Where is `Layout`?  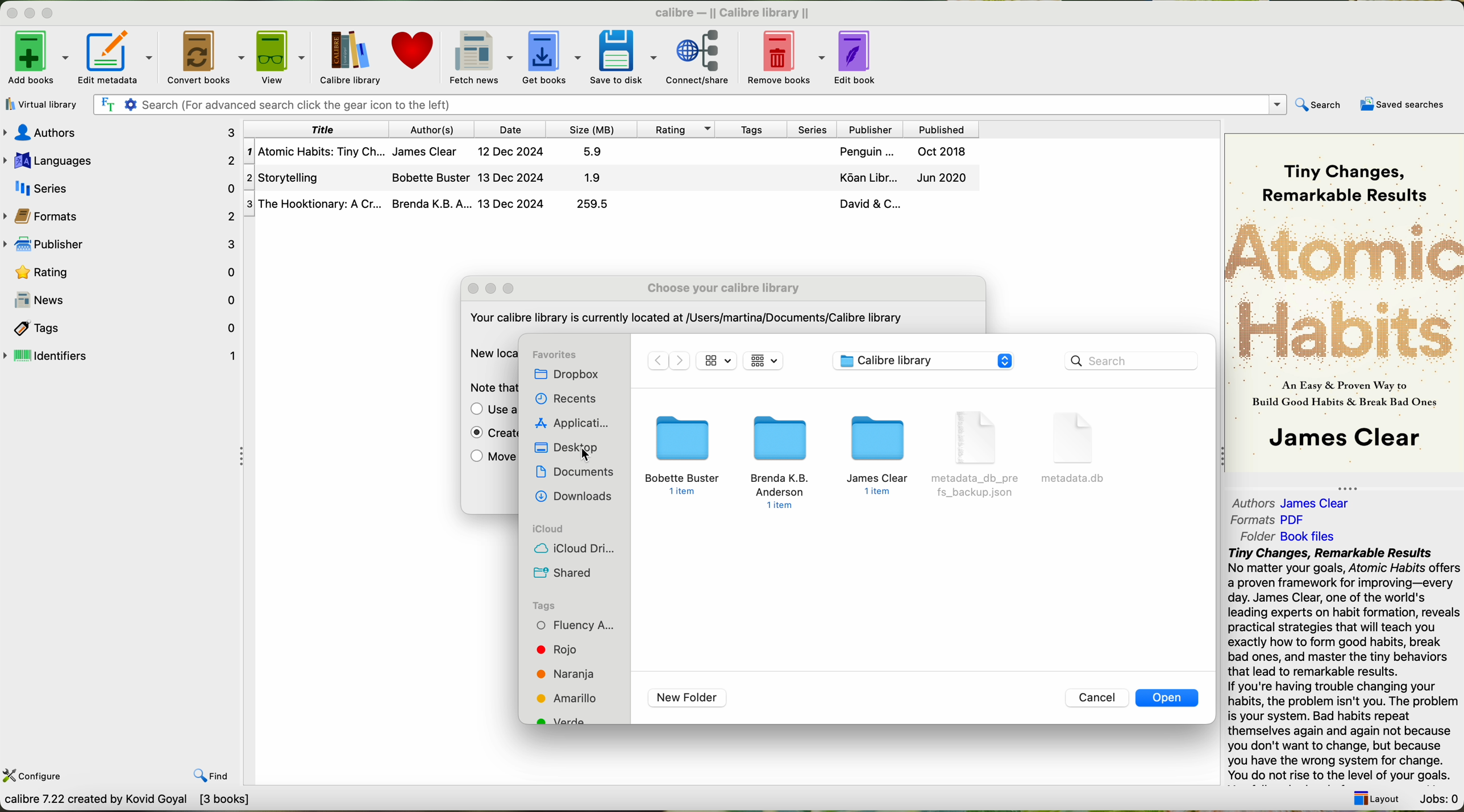
Layout is located at coordinates (1373, 795).